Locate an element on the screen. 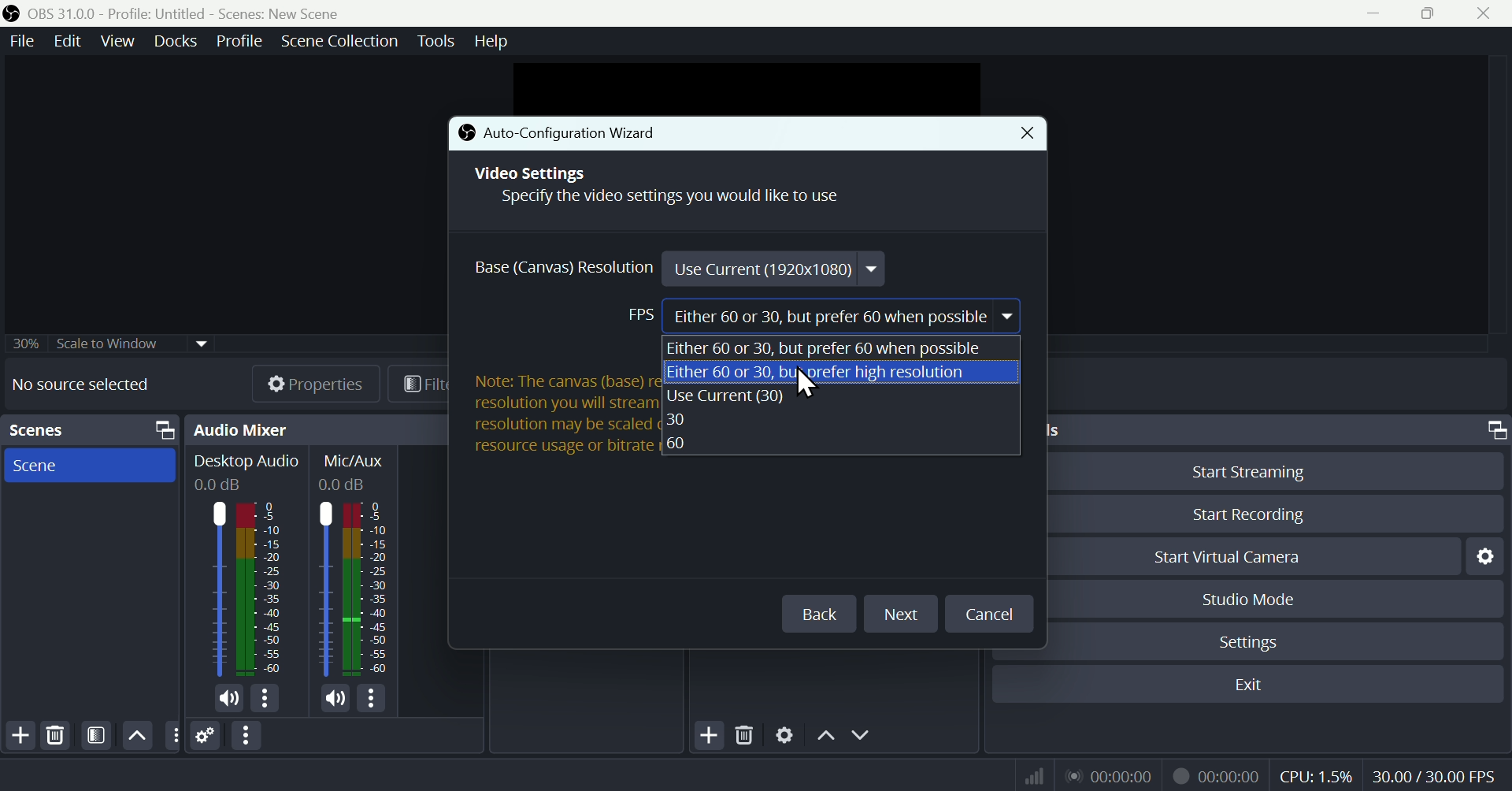  icon is located at coordinates (465, 135).